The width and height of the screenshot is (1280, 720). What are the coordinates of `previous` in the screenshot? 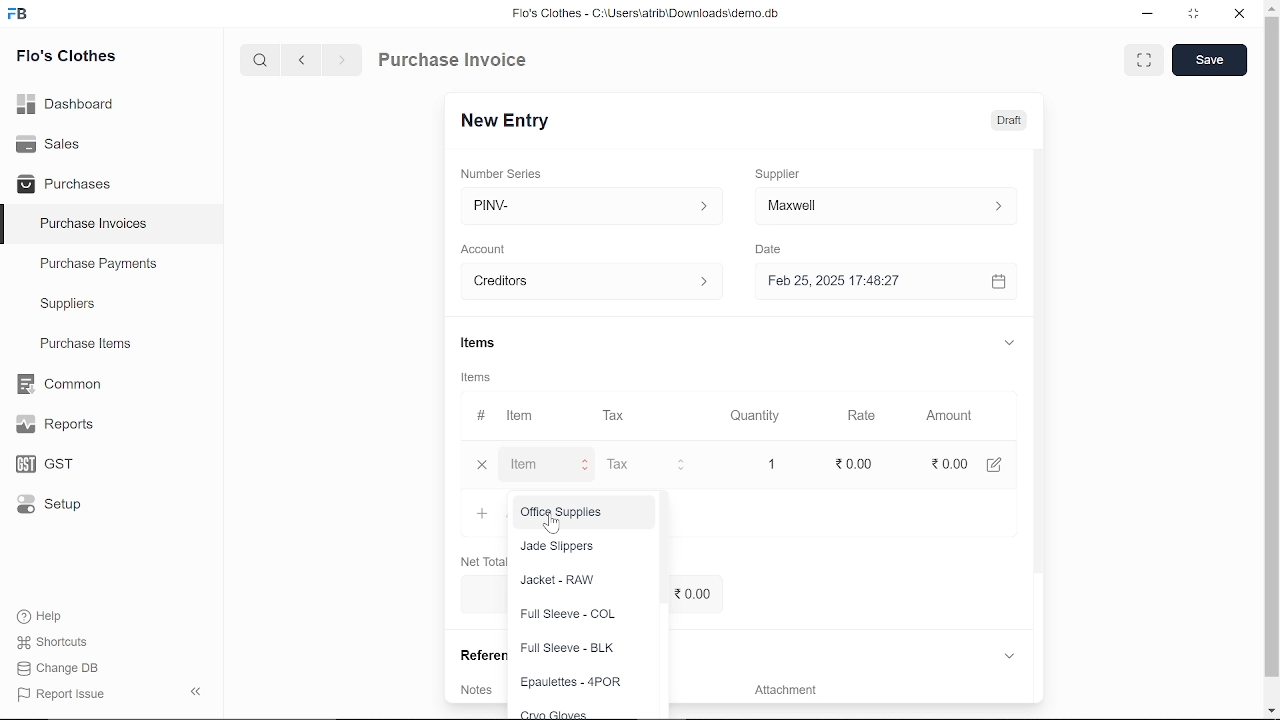 It's located at (303, 62).